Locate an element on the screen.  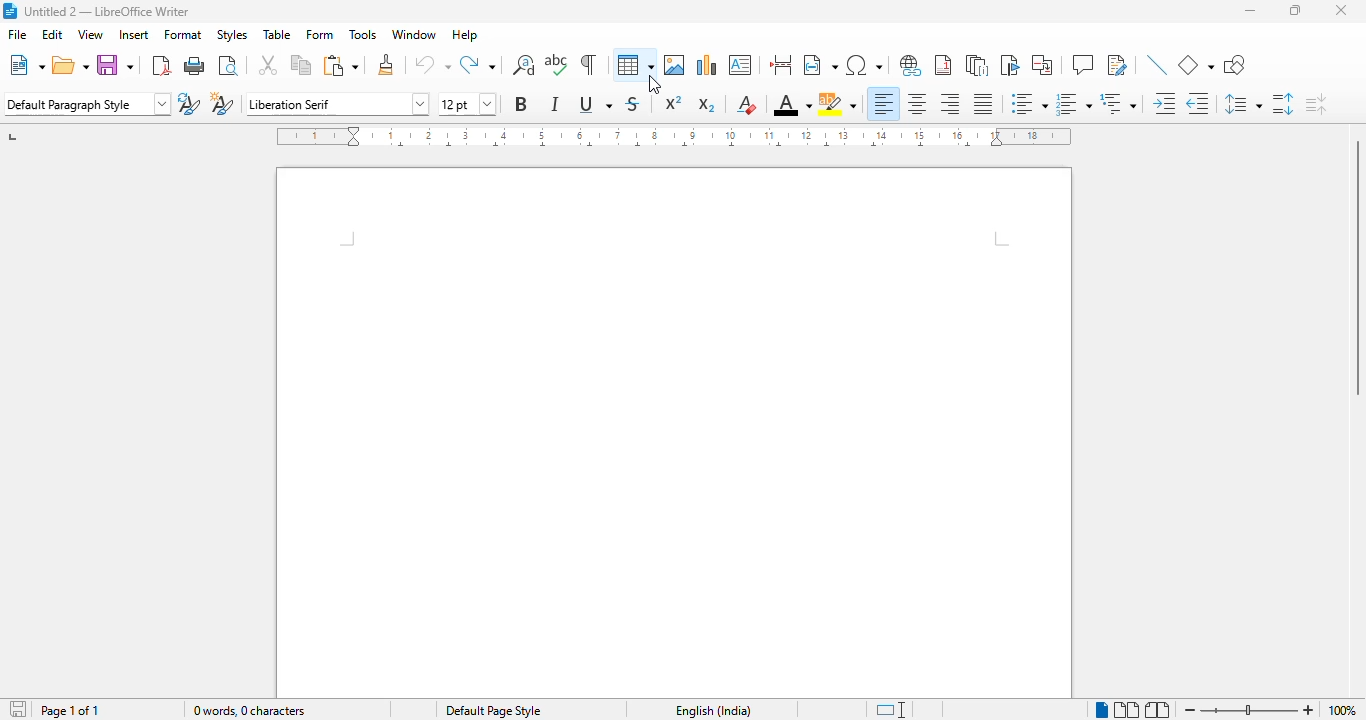
minimize is located at coordinates (1251, 11).